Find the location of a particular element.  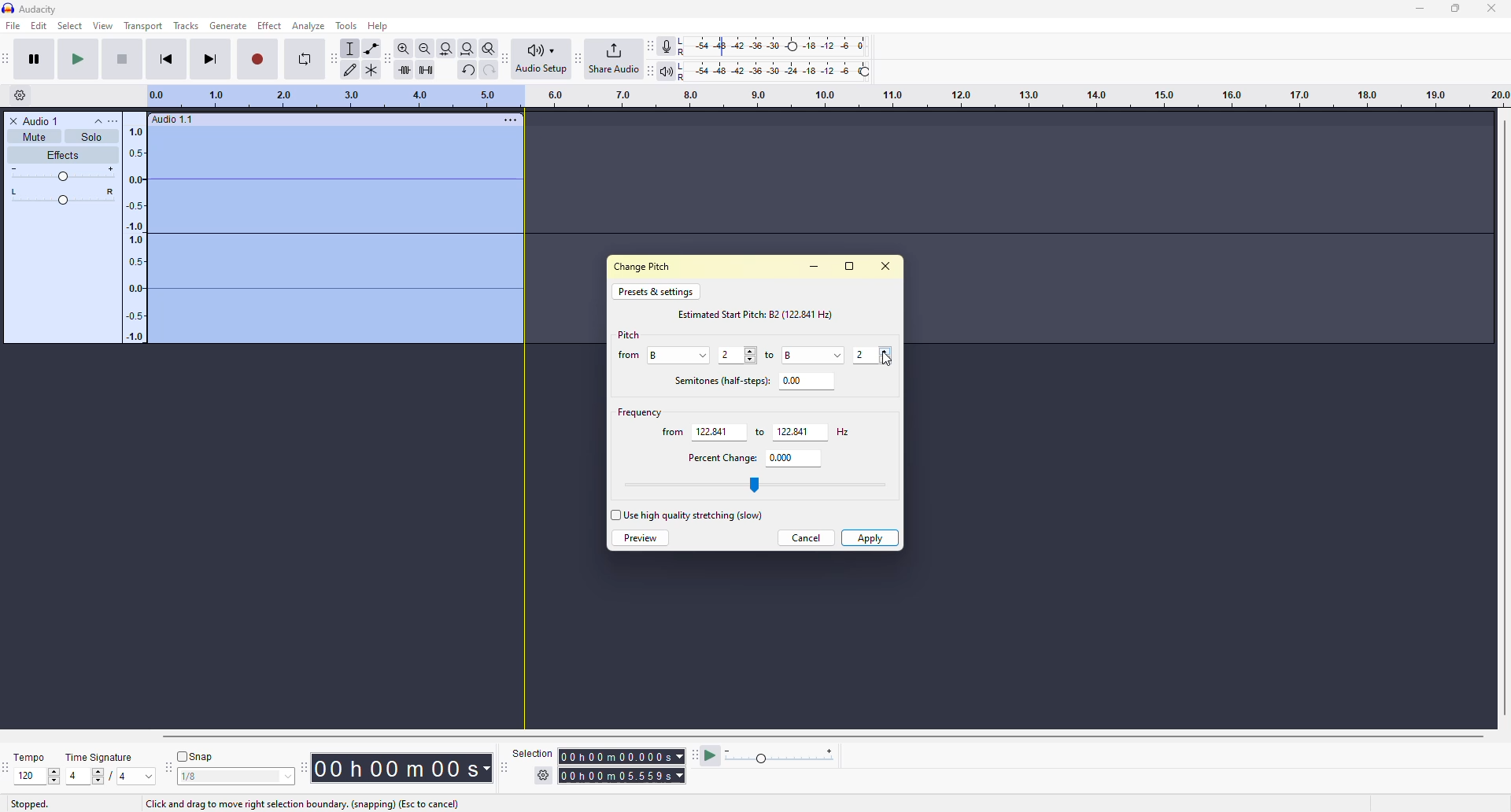

preview is located at coordinates (640, 538).